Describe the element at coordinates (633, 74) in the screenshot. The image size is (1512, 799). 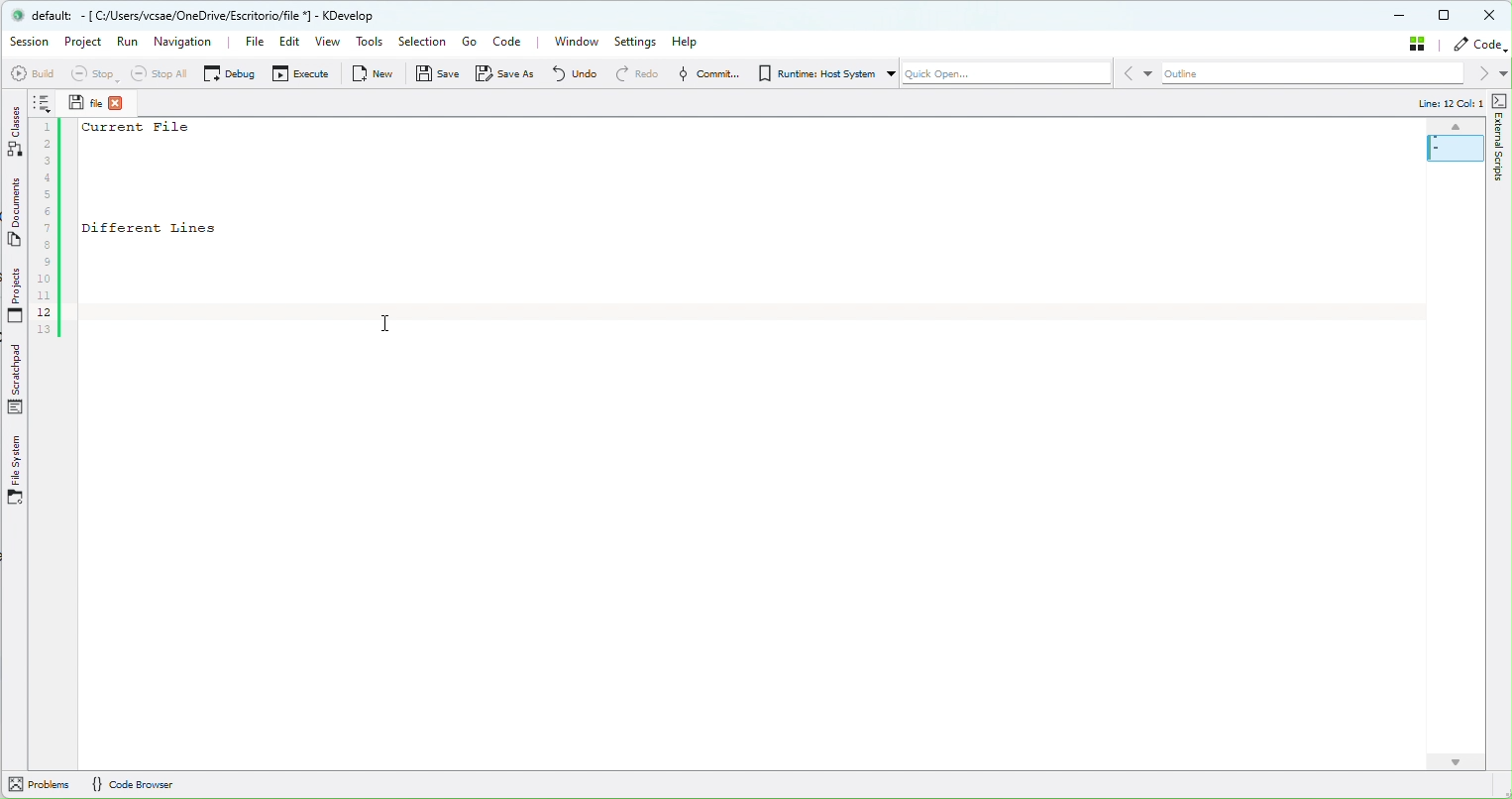
I see `Redo` at that location.